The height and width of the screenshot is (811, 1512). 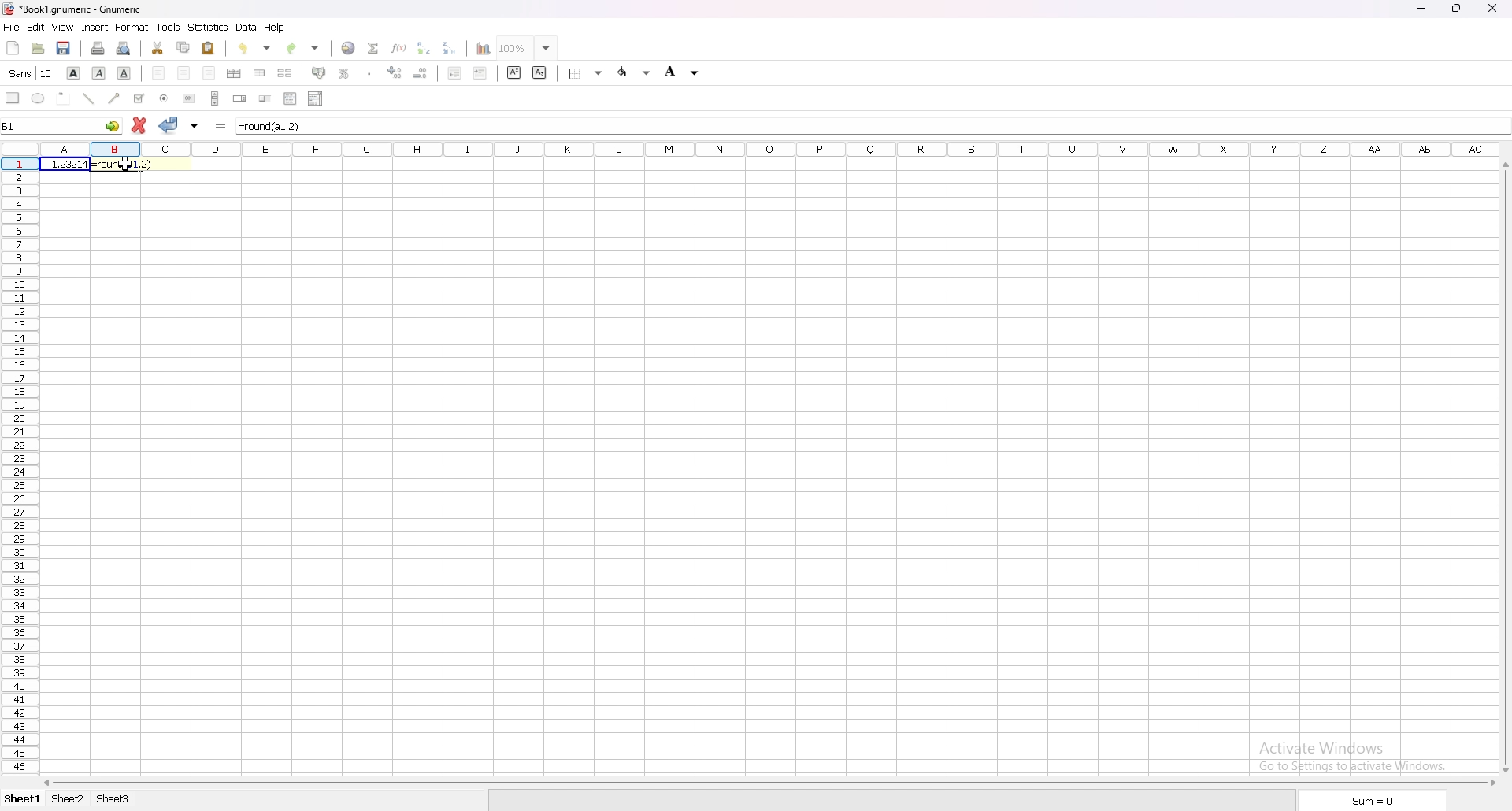 What do you see at coordinates (165, 98) in the screenshot?
I see `radio button` at bounding box center [165, 98].